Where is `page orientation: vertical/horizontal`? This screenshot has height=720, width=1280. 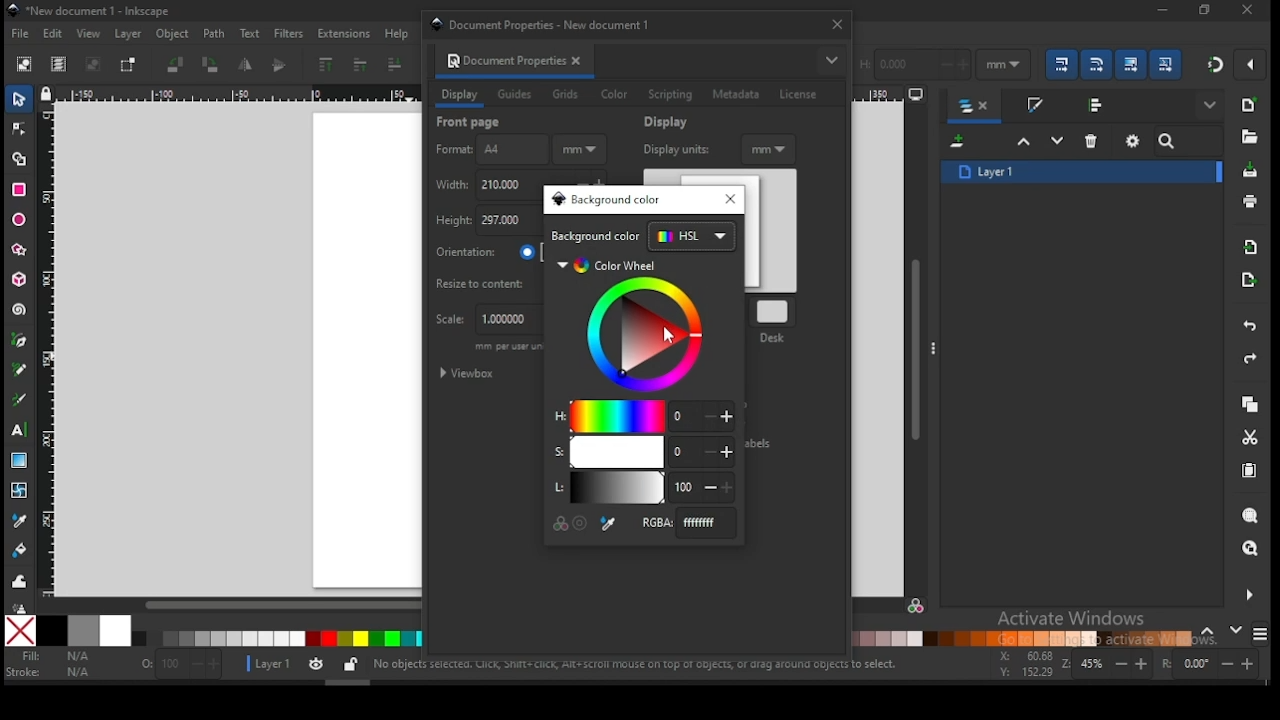
page orientation: vertical/horizontal is located at coordinates (487, 252).